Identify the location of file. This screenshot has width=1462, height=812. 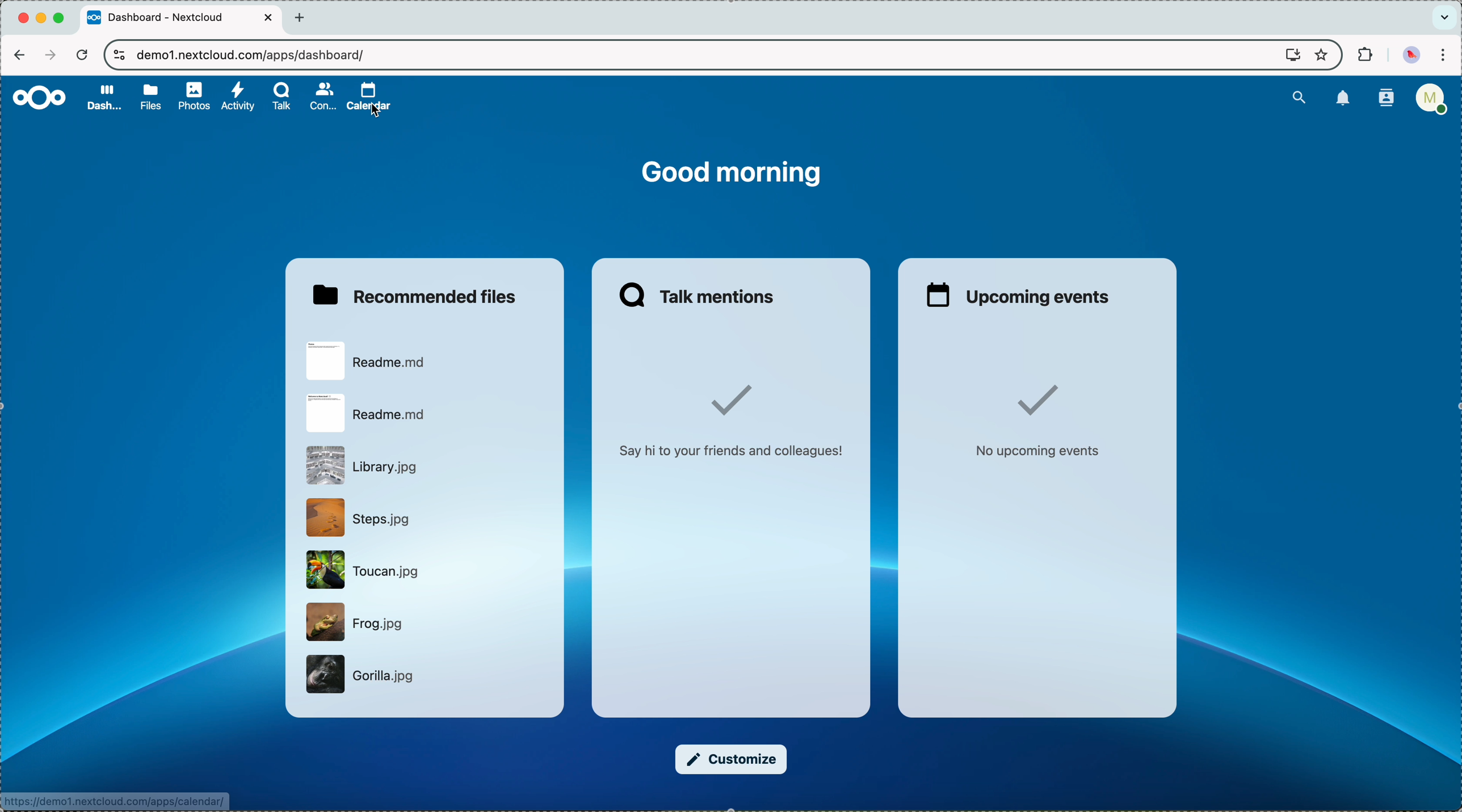
(364, 676).